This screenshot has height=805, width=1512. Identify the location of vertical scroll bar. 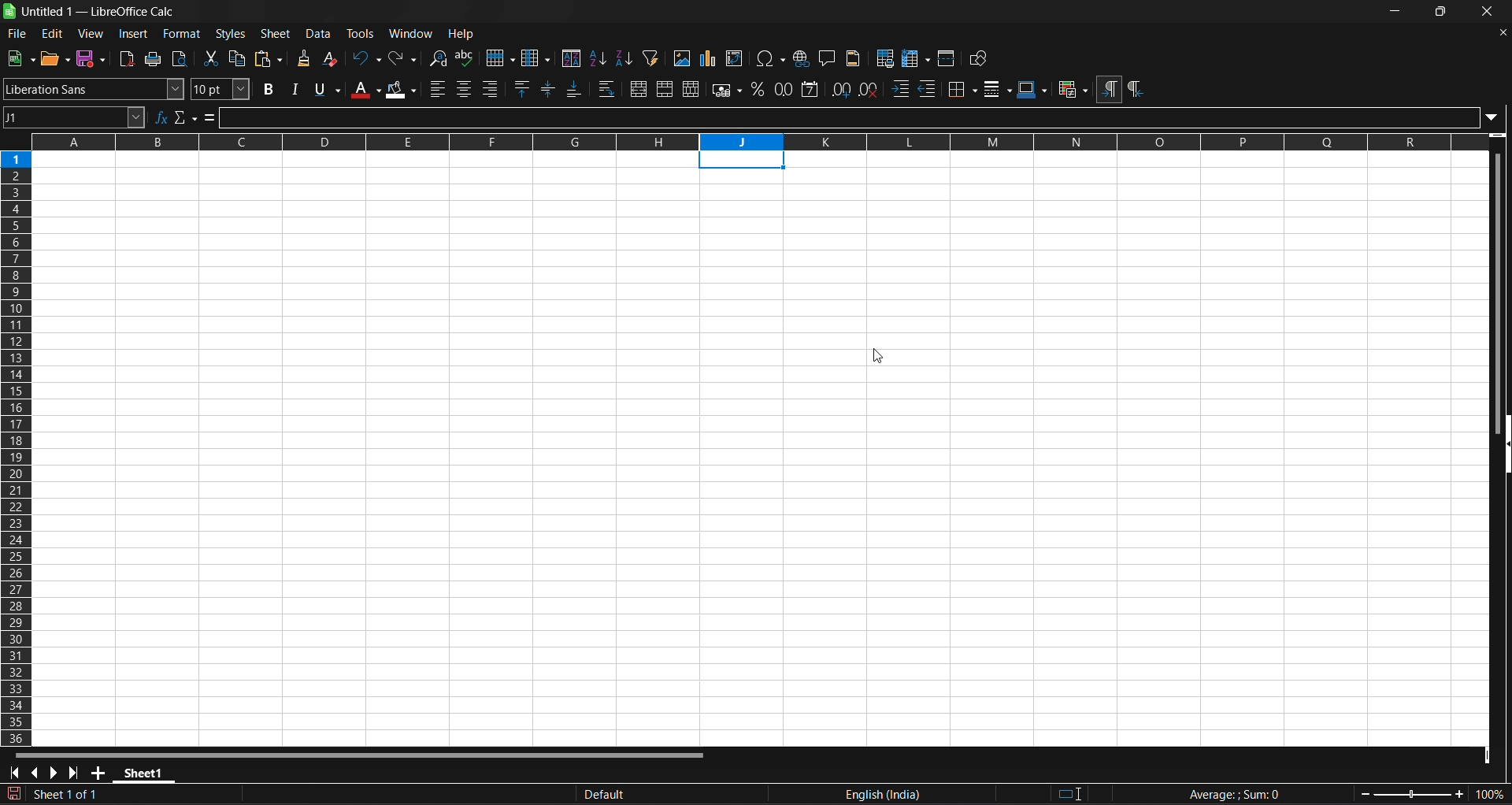
(1500, 280).